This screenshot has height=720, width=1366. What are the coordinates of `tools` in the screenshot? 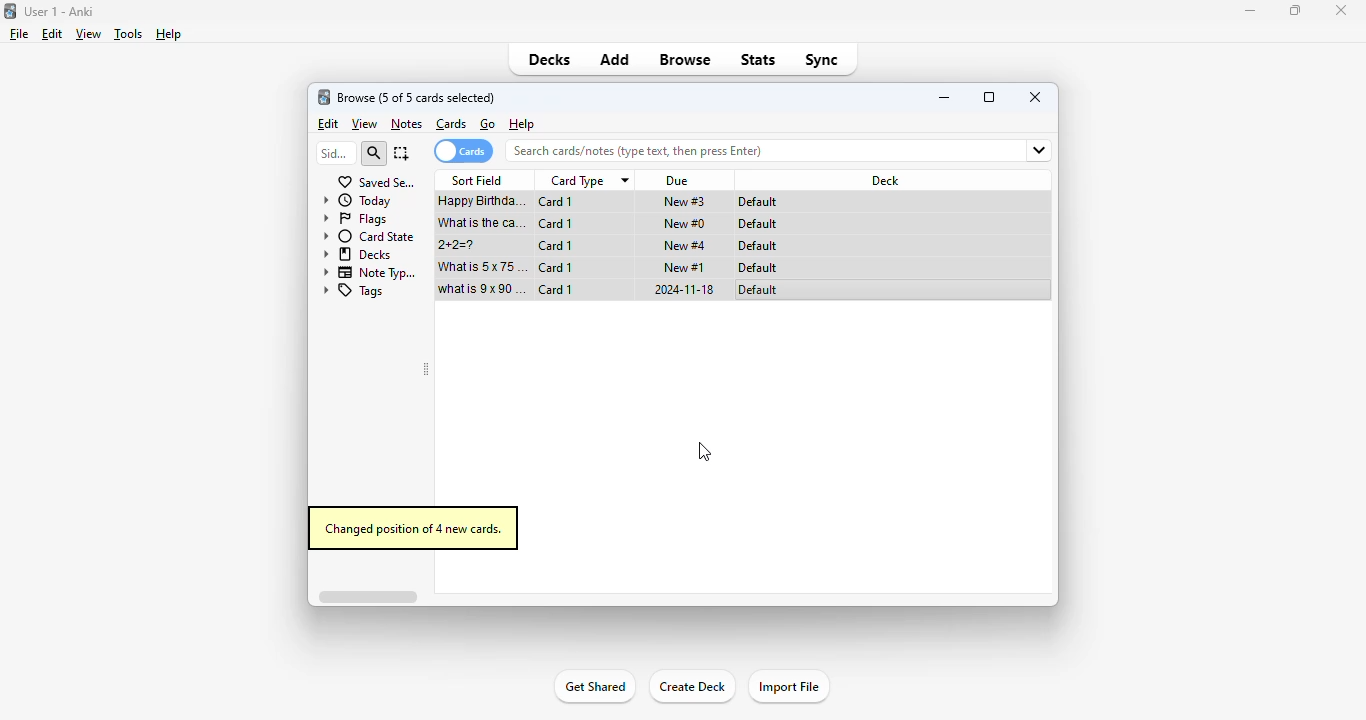 It's located at (128, 35).